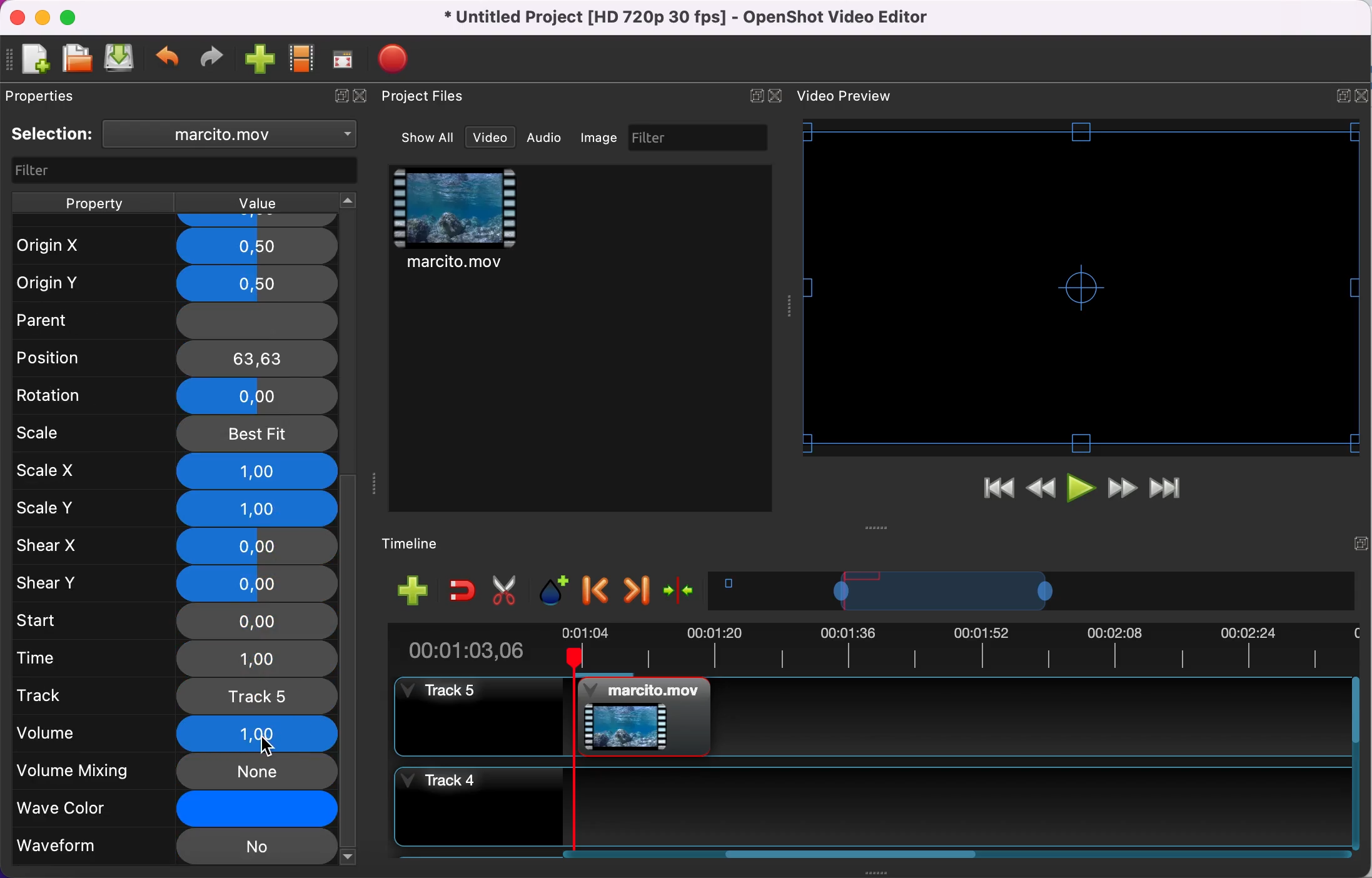  Describe the element at coordinates (1081, 287) in the screenshot. I see `Video preview` at that location.